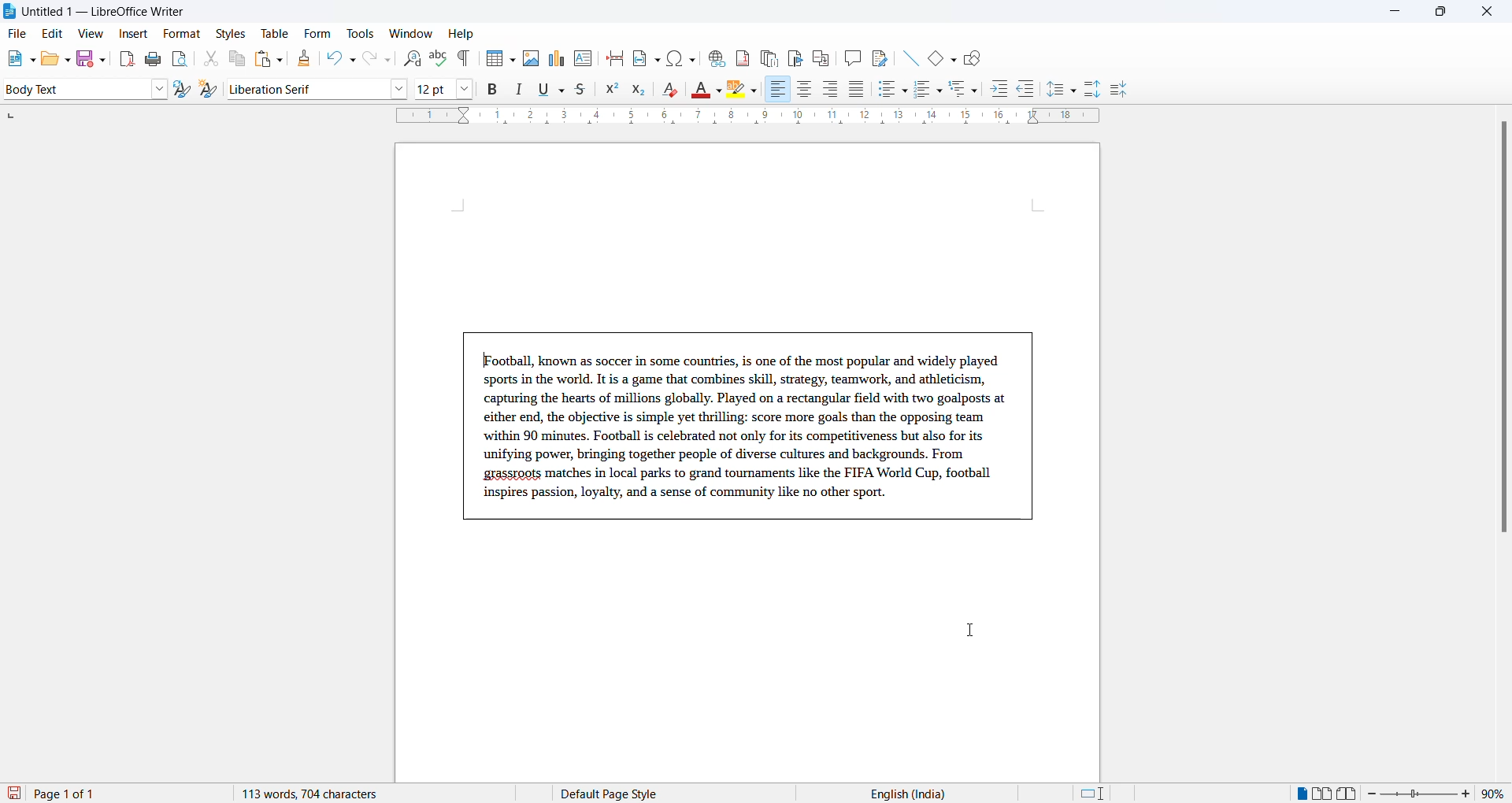 This screenshot has height=803, width=1512. Describe the element at coordinates (128, 57) in the screenshot. I see `export as pdf` at that location.